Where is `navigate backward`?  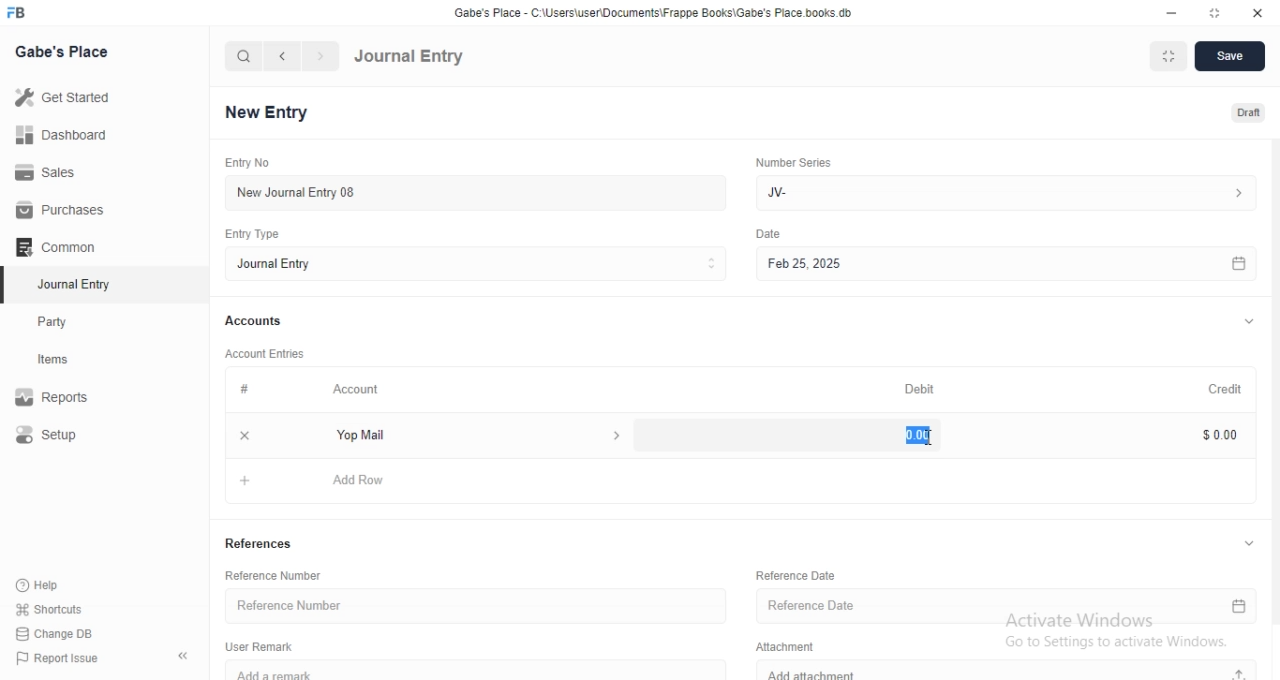 navigate backward is located at coordinates (285, 56).